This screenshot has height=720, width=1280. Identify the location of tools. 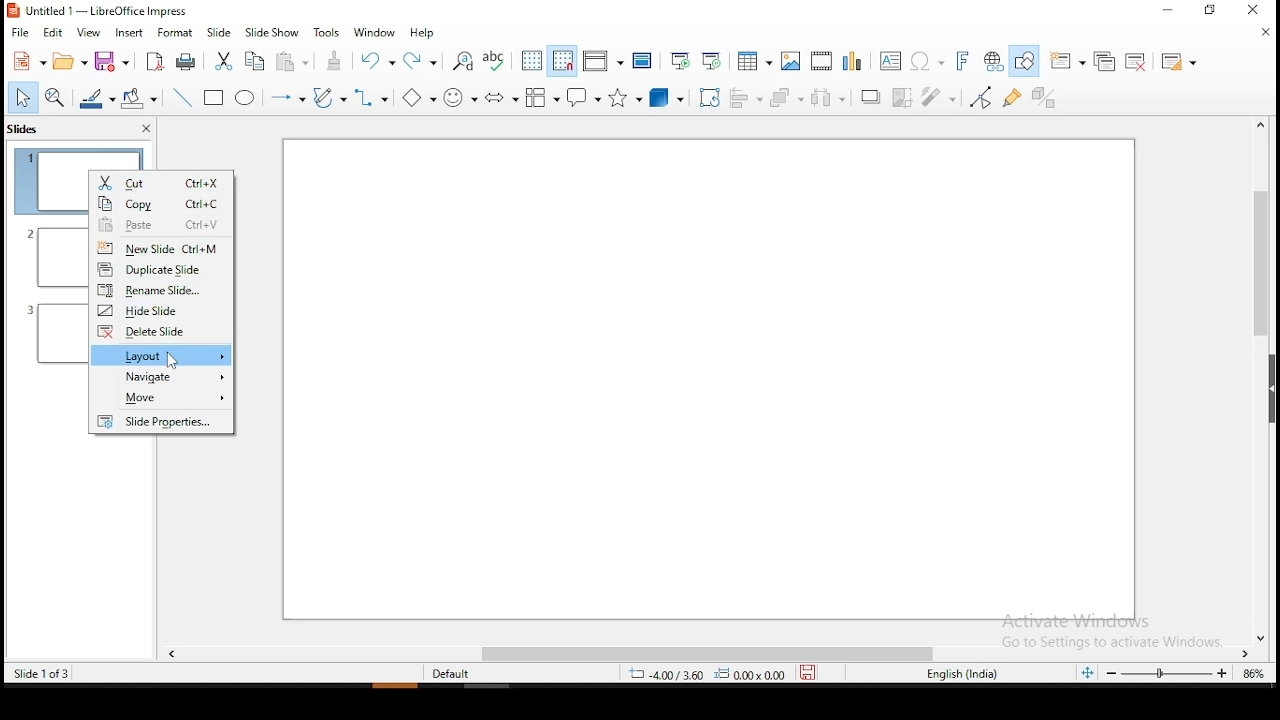
(327, 33).